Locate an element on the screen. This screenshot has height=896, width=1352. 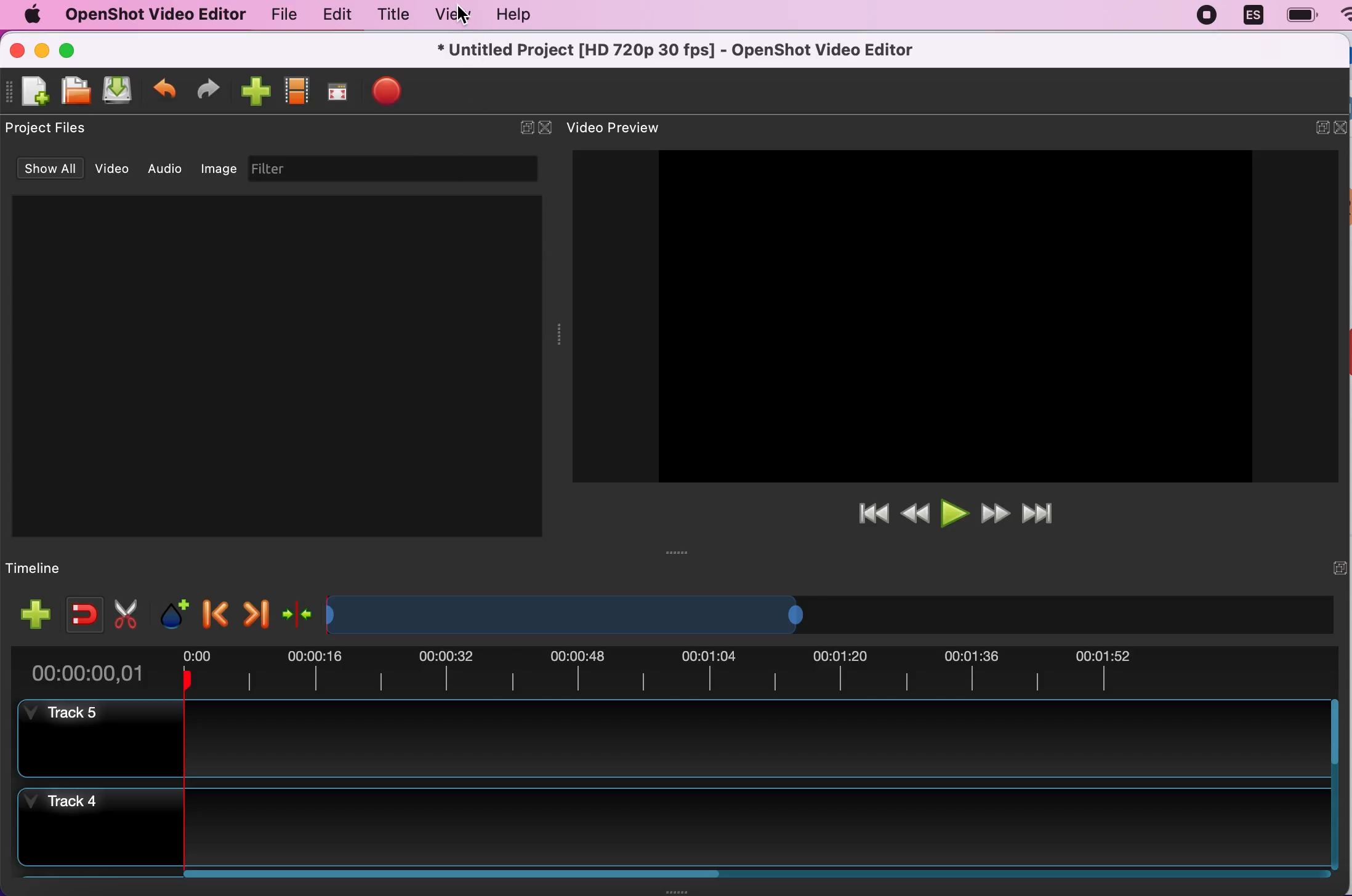
choose profiles is located at coordinates (297, 91).